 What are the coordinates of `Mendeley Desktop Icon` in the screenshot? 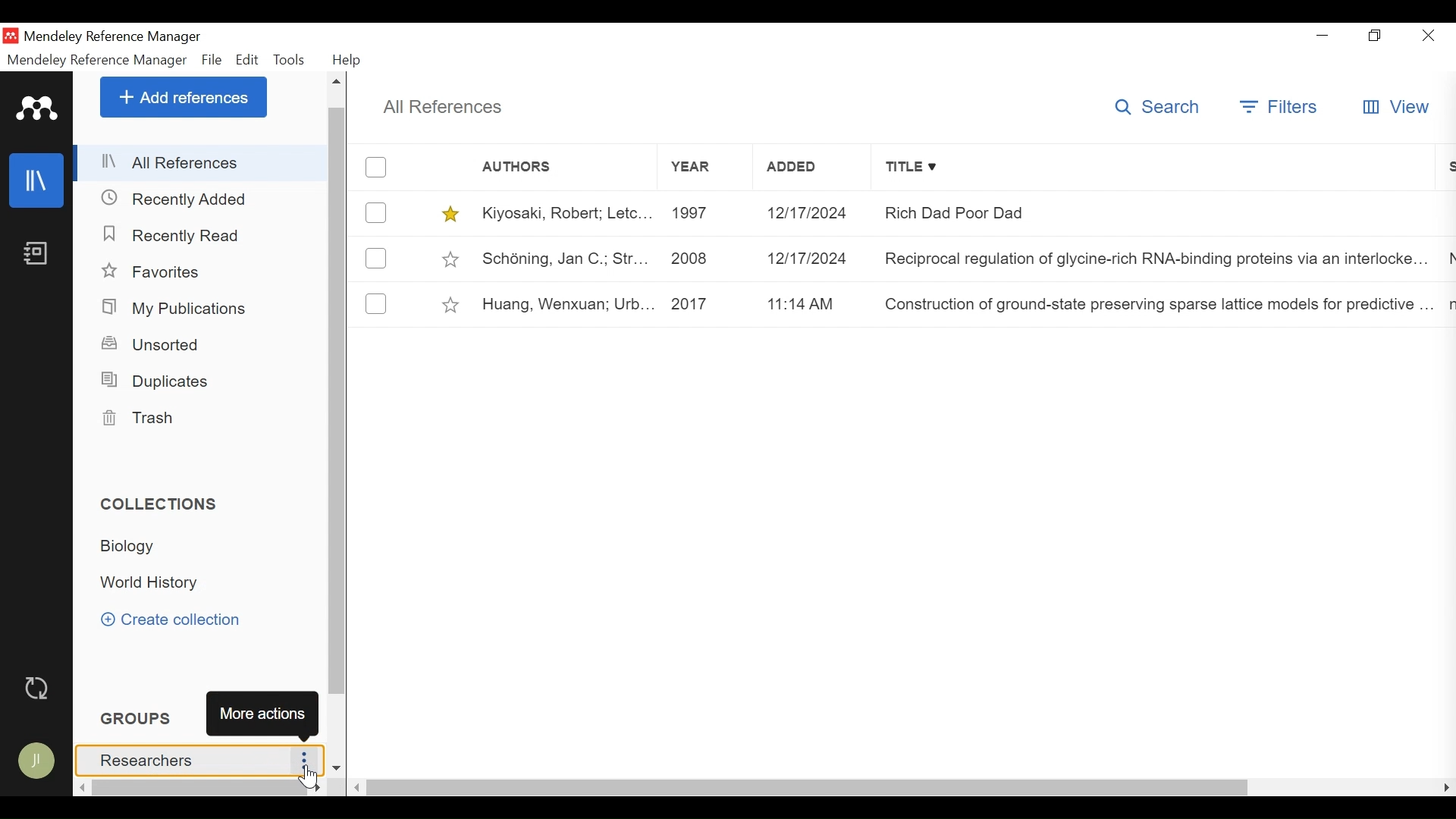 It's located at (11, 36).